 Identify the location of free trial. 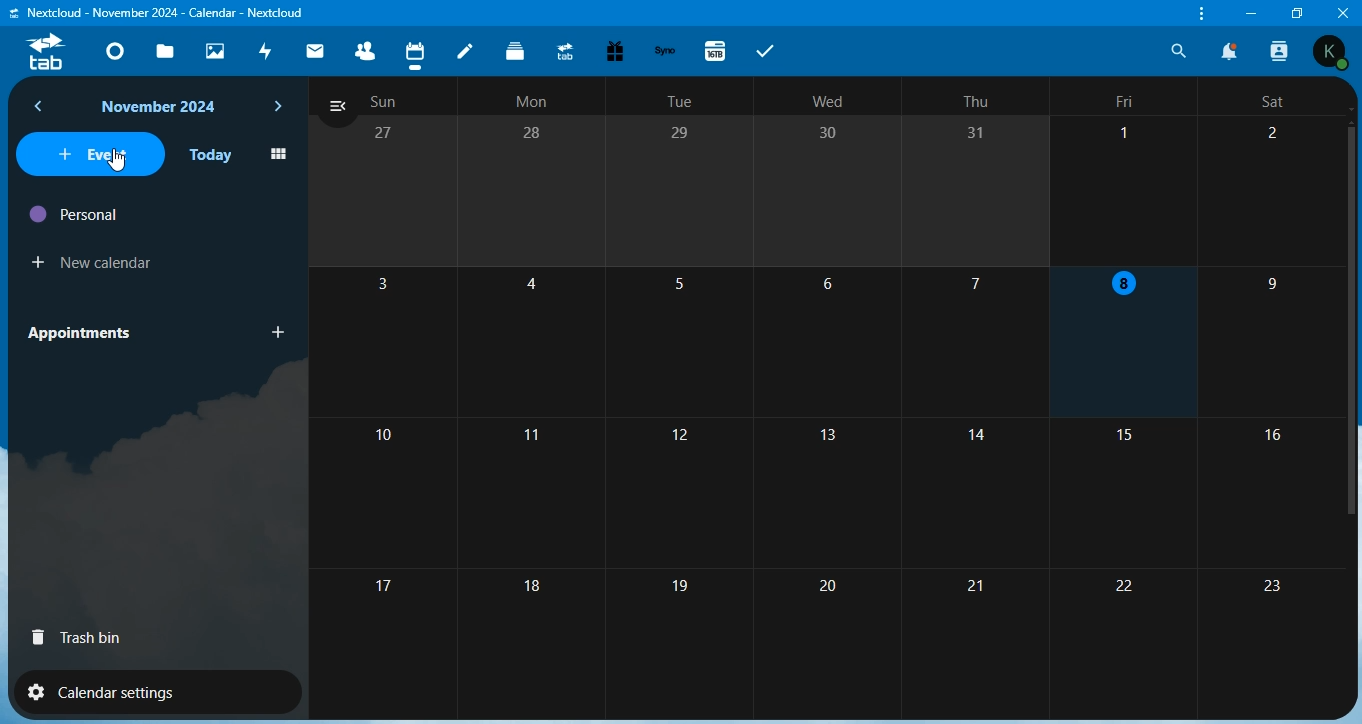
(615, 49).